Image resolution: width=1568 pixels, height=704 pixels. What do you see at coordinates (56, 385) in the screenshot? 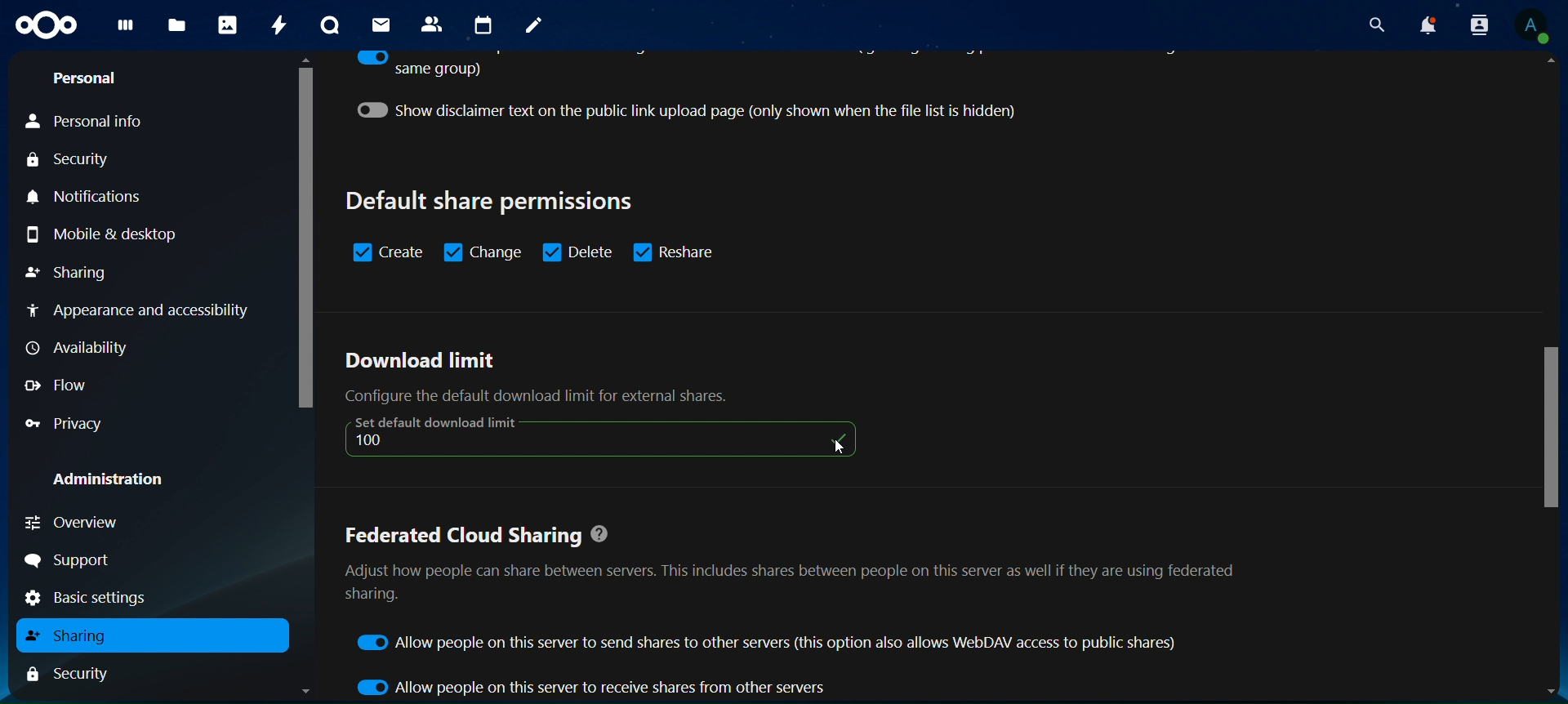
I see `flow` at bounding box center [56, 385].